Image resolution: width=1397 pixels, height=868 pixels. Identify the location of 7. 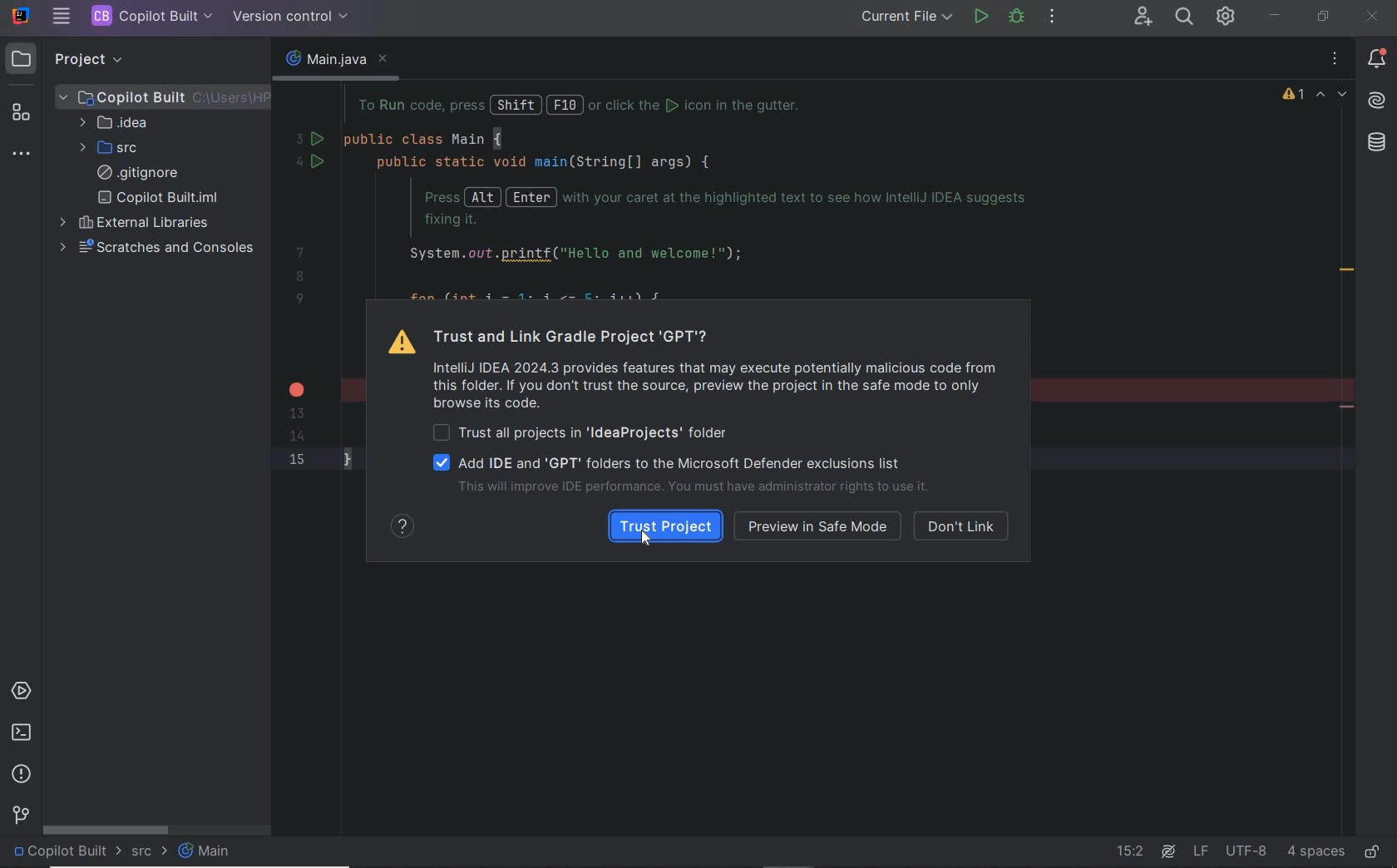
(301, 253).